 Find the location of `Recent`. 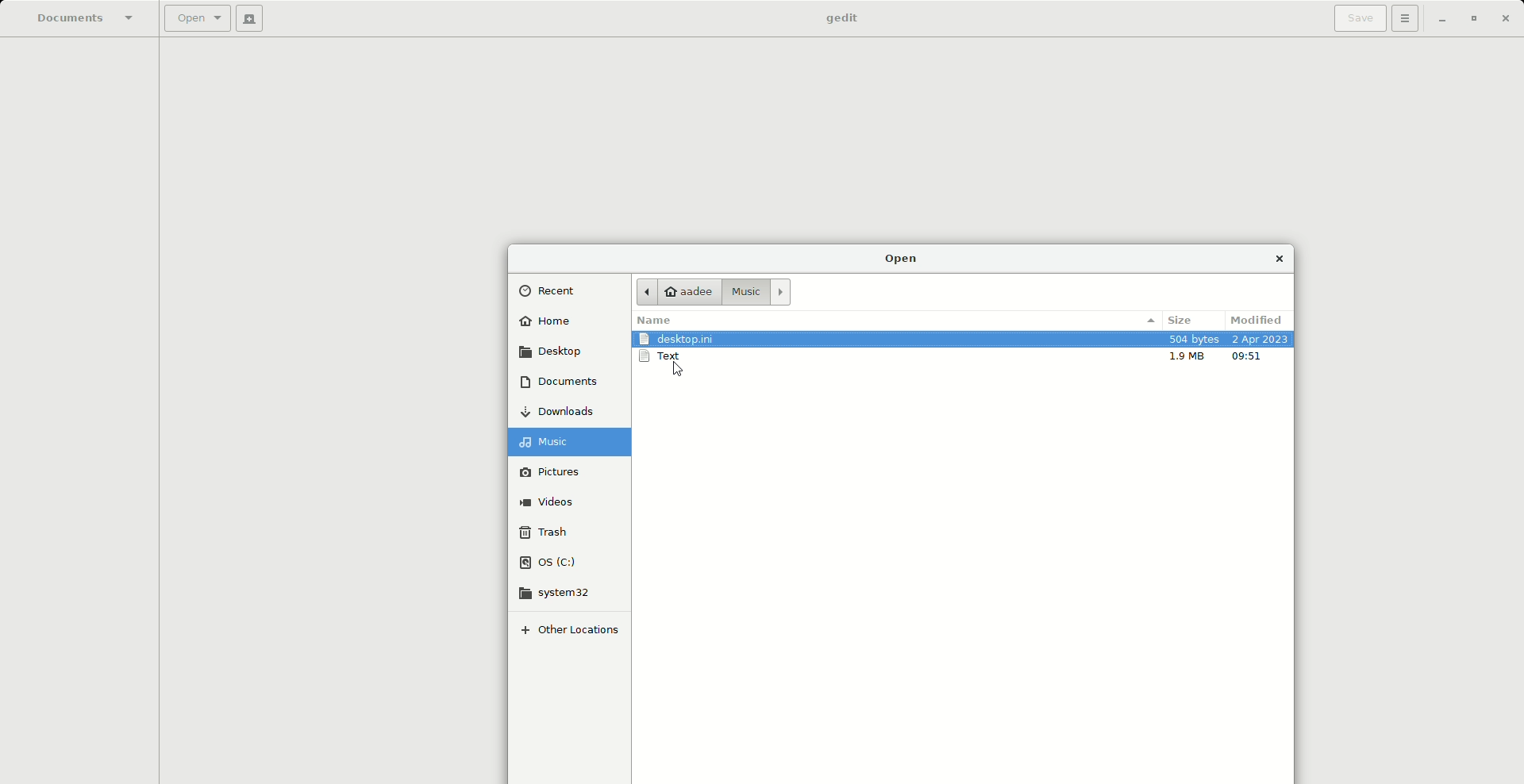

Recent is located at coordinates (556, 293).